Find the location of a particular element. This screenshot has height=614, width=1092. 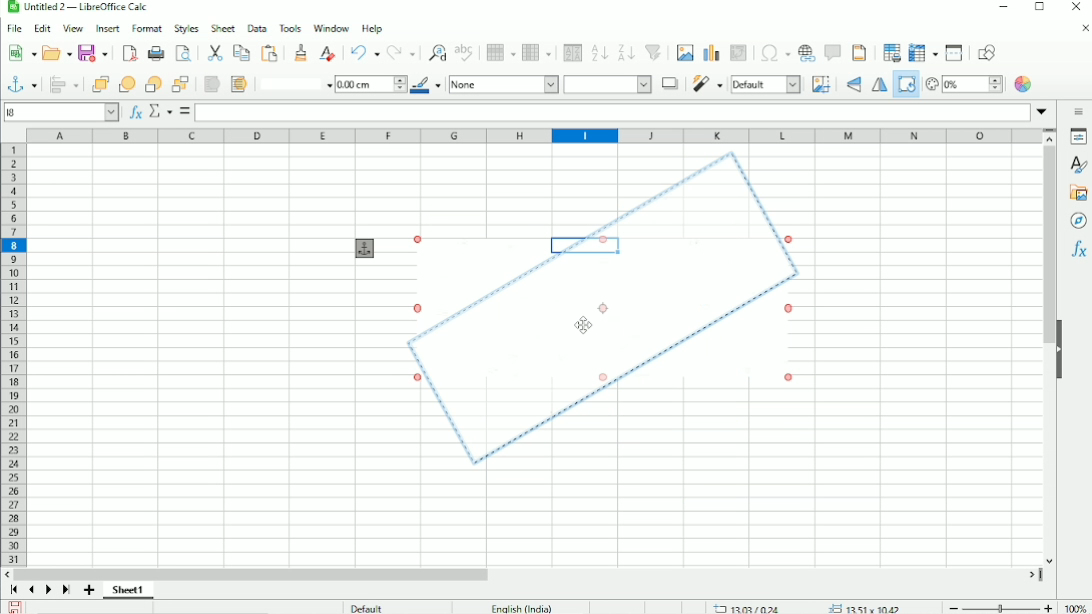

Filter is located at coordinates (707, 84).